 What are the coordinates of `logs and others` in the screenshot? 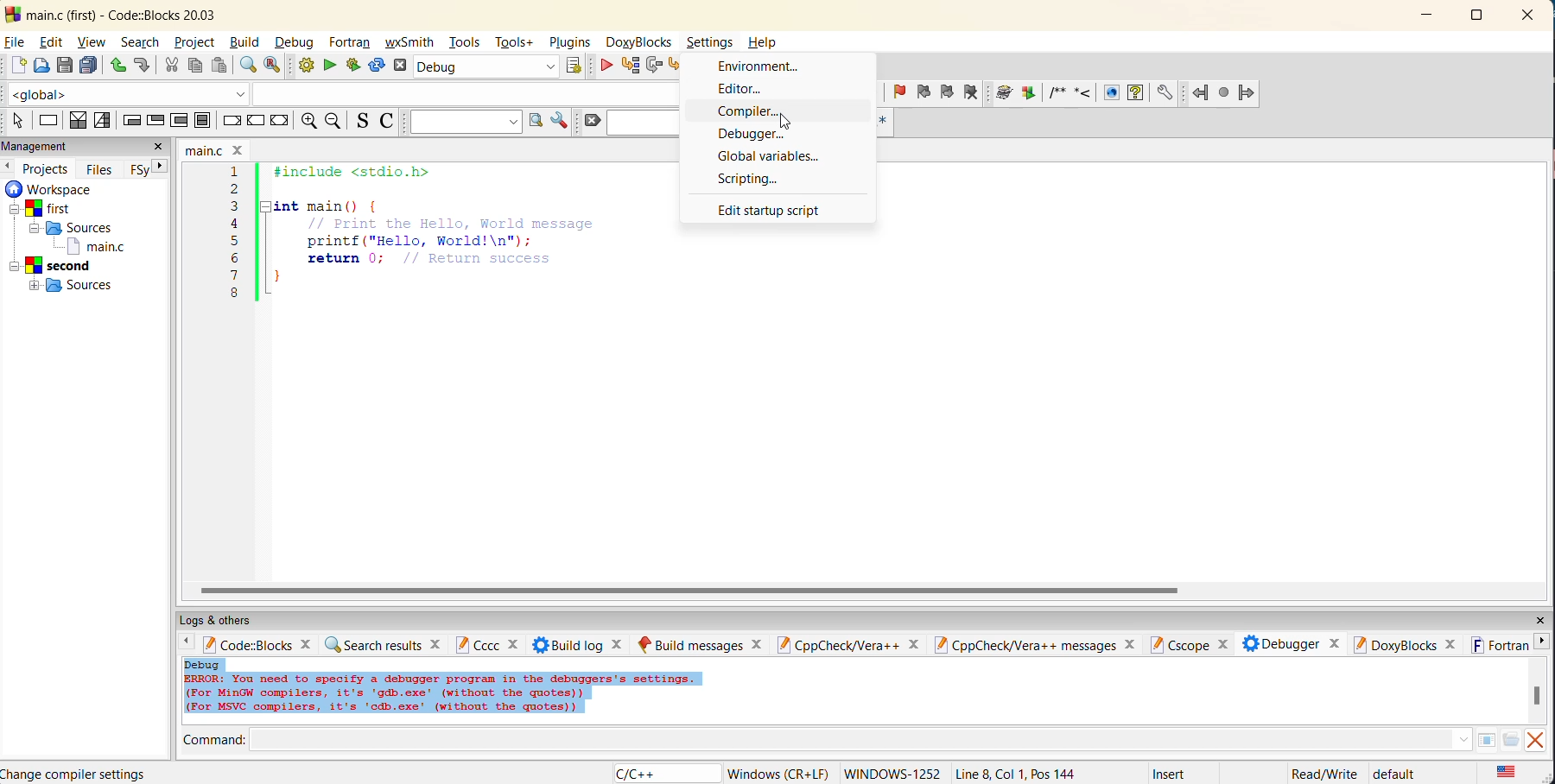 It's located at (230, 620).